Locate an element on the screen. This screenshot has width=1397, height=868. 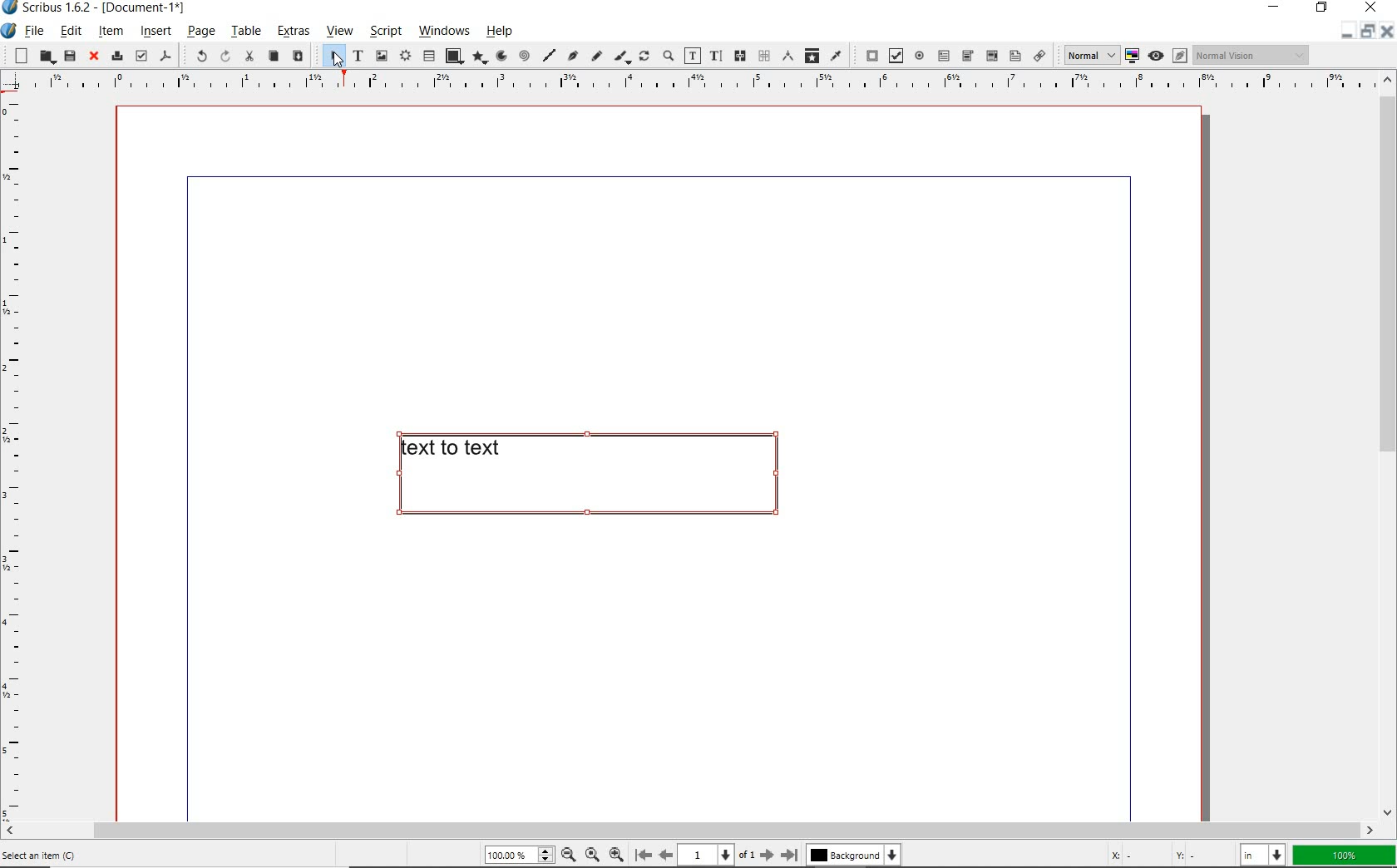
edit is located at coordinates (71, 31).